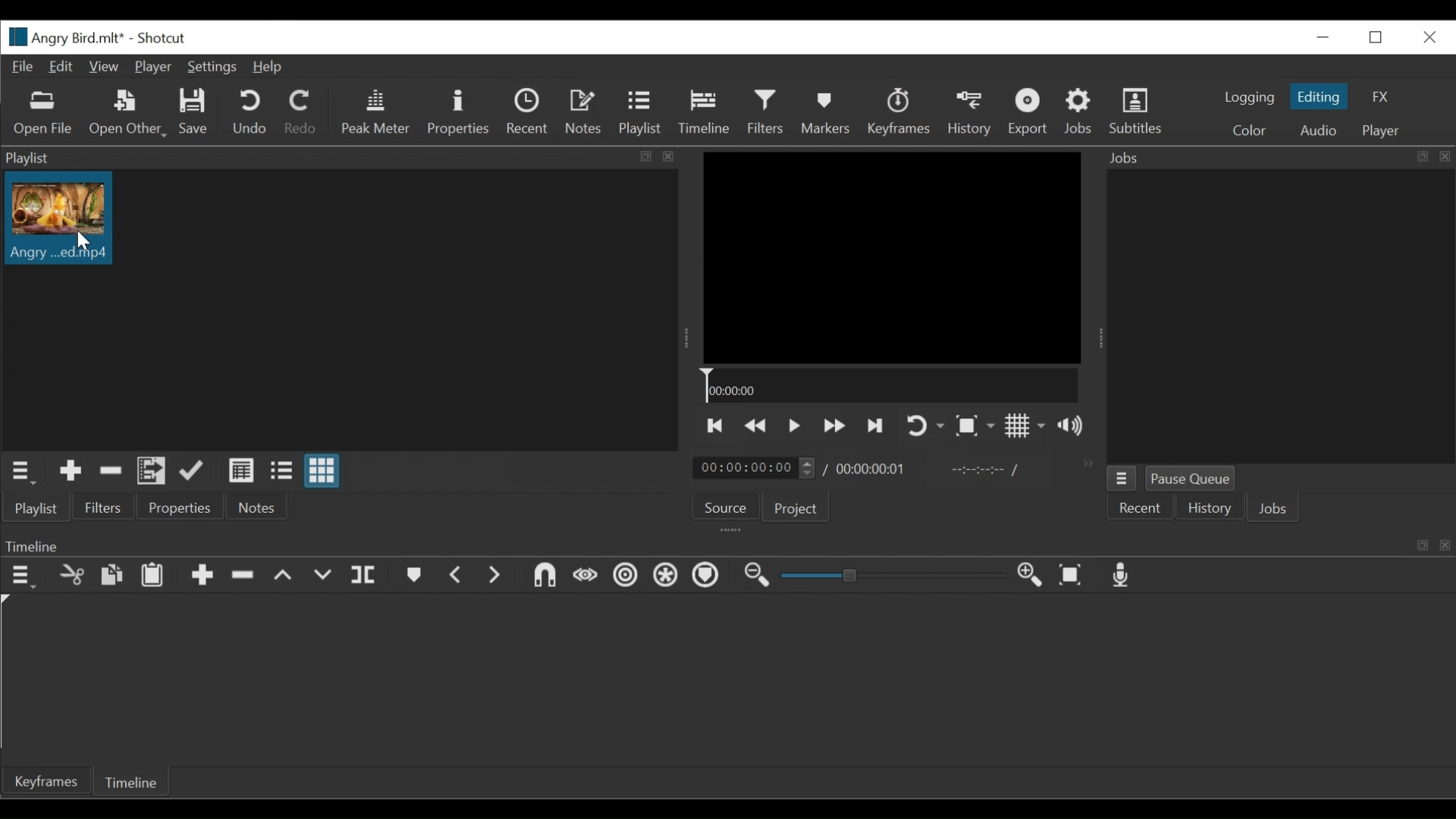 Image resolution: width=1456 pixels, height=819 pixels. What do you see at coordinates (497, 576) in the screenshot?
I see `Next Marker` at bounding box center [497, 576].